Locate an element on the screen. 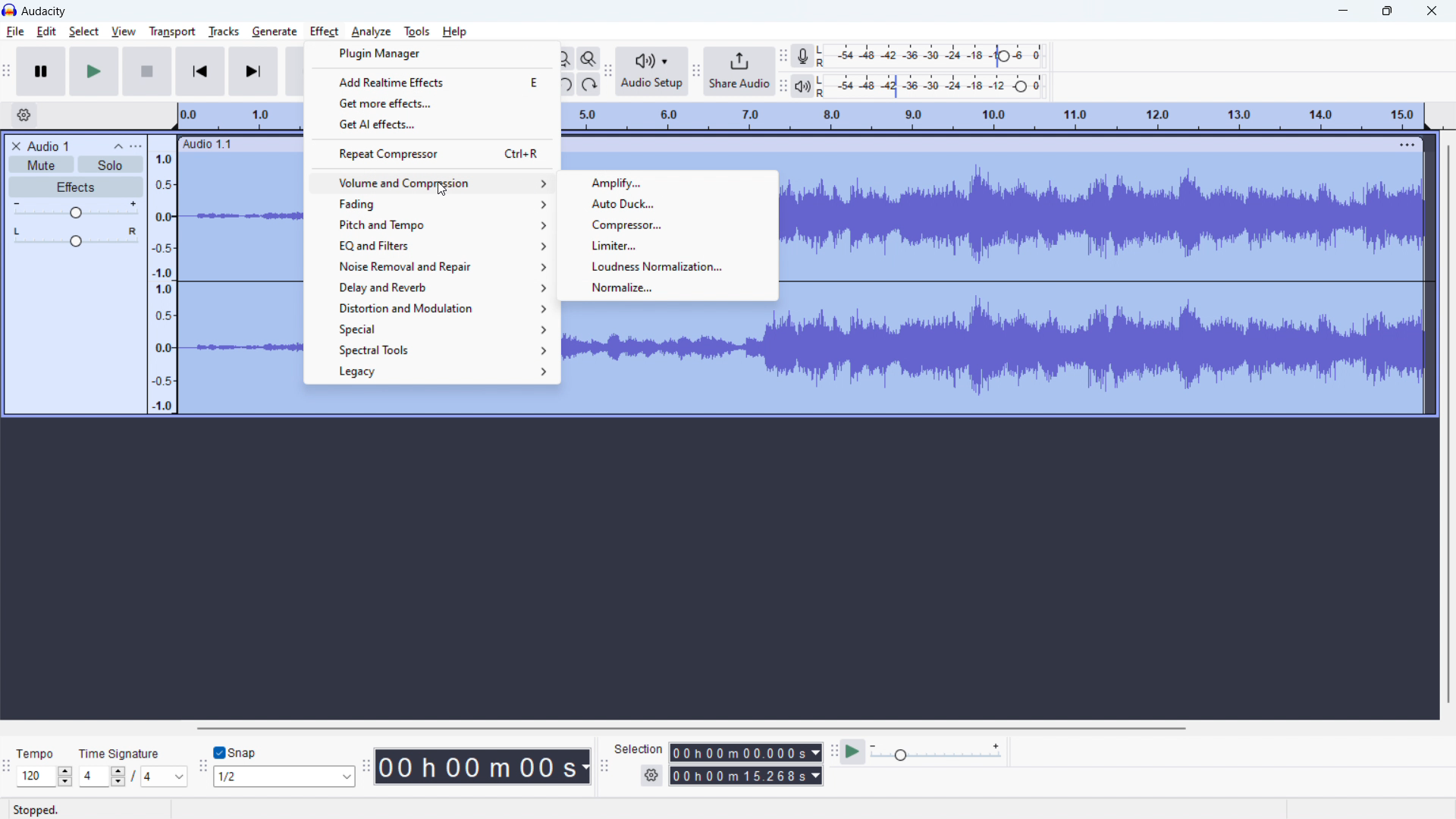 This screenshot has width=1456, height=819. special is located at coordinates (430, 328).